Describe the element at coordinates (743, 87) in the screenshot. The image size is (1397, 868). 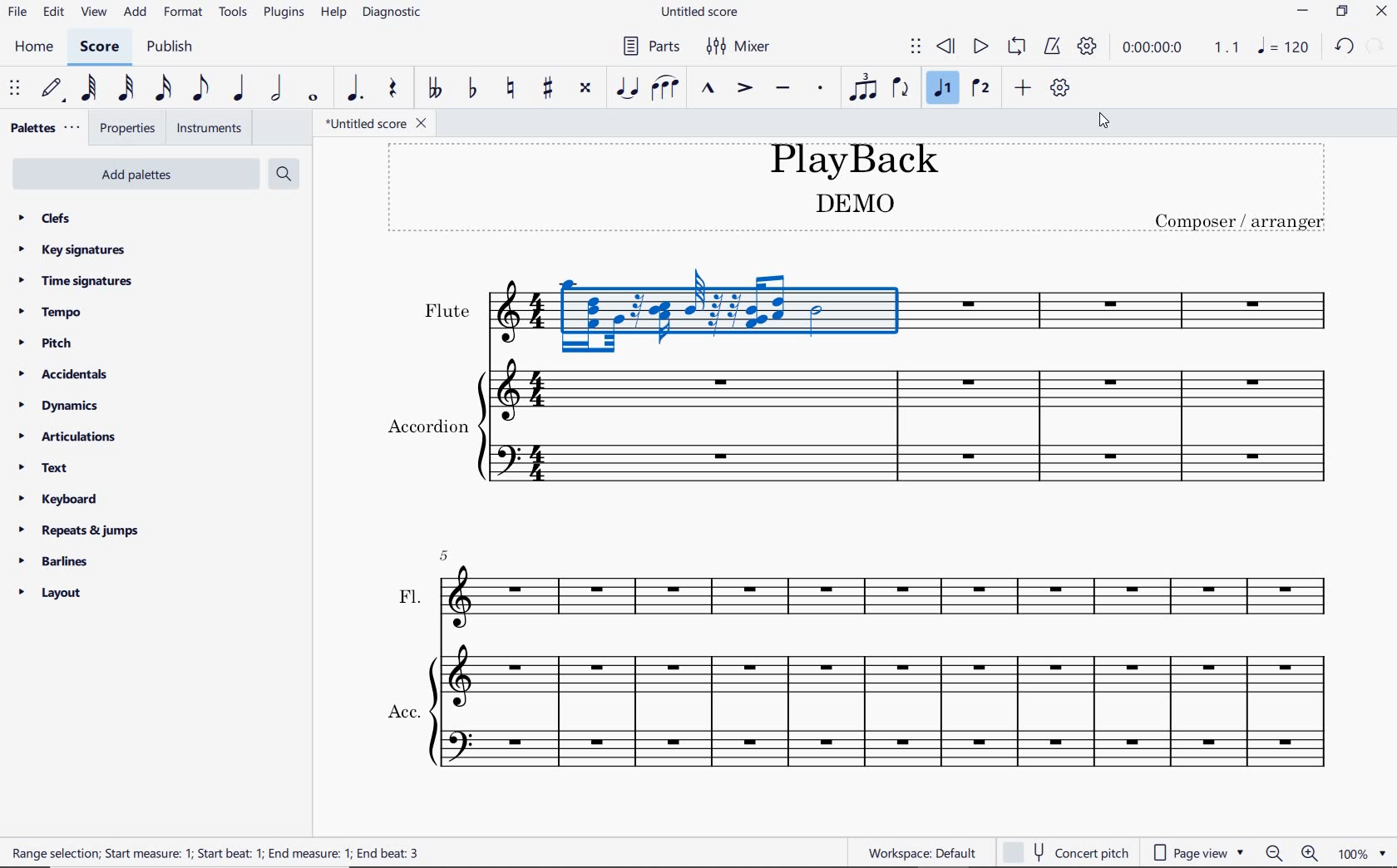
I see `accent` at that location.